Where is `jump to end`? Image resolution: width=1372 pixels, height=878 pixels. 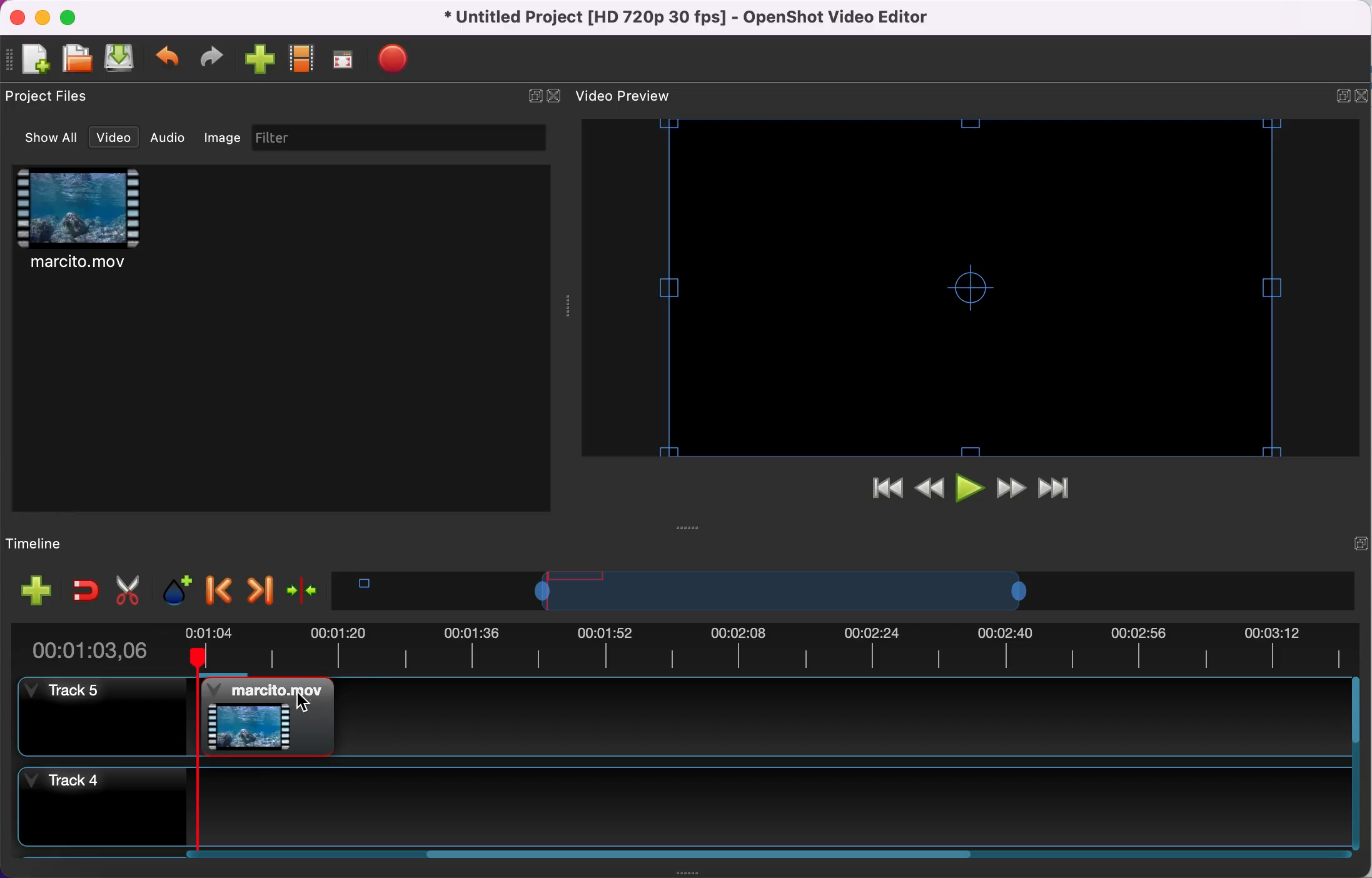 jump to end is located at coordinates (1060, 489).